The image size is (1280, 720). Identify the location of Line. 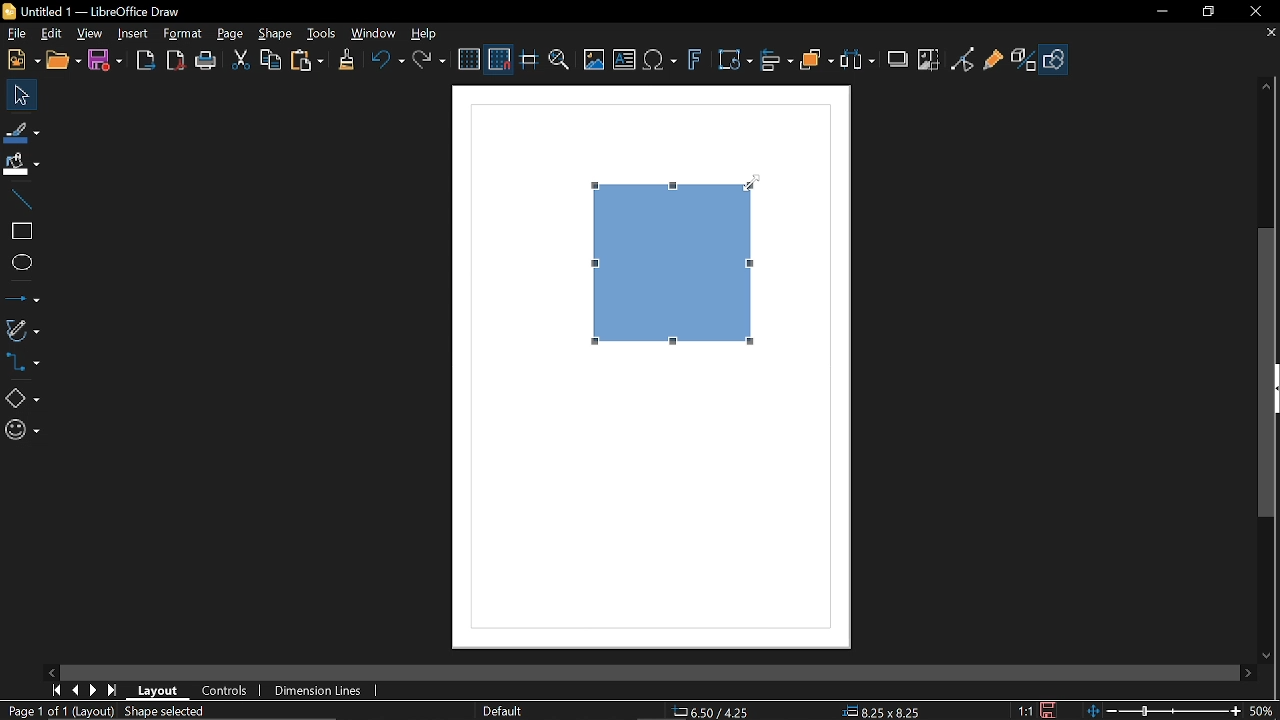
(20, 199).